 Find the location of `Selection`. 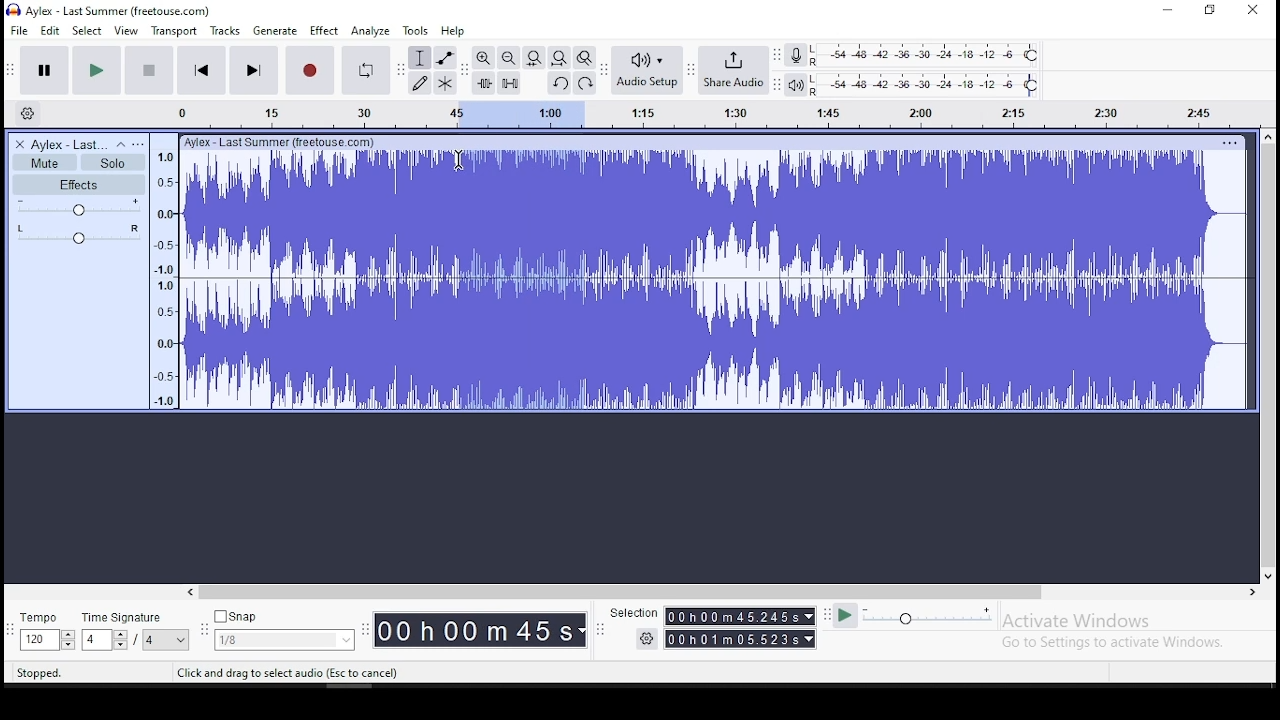

Selection is located at coordinates (627, 611).